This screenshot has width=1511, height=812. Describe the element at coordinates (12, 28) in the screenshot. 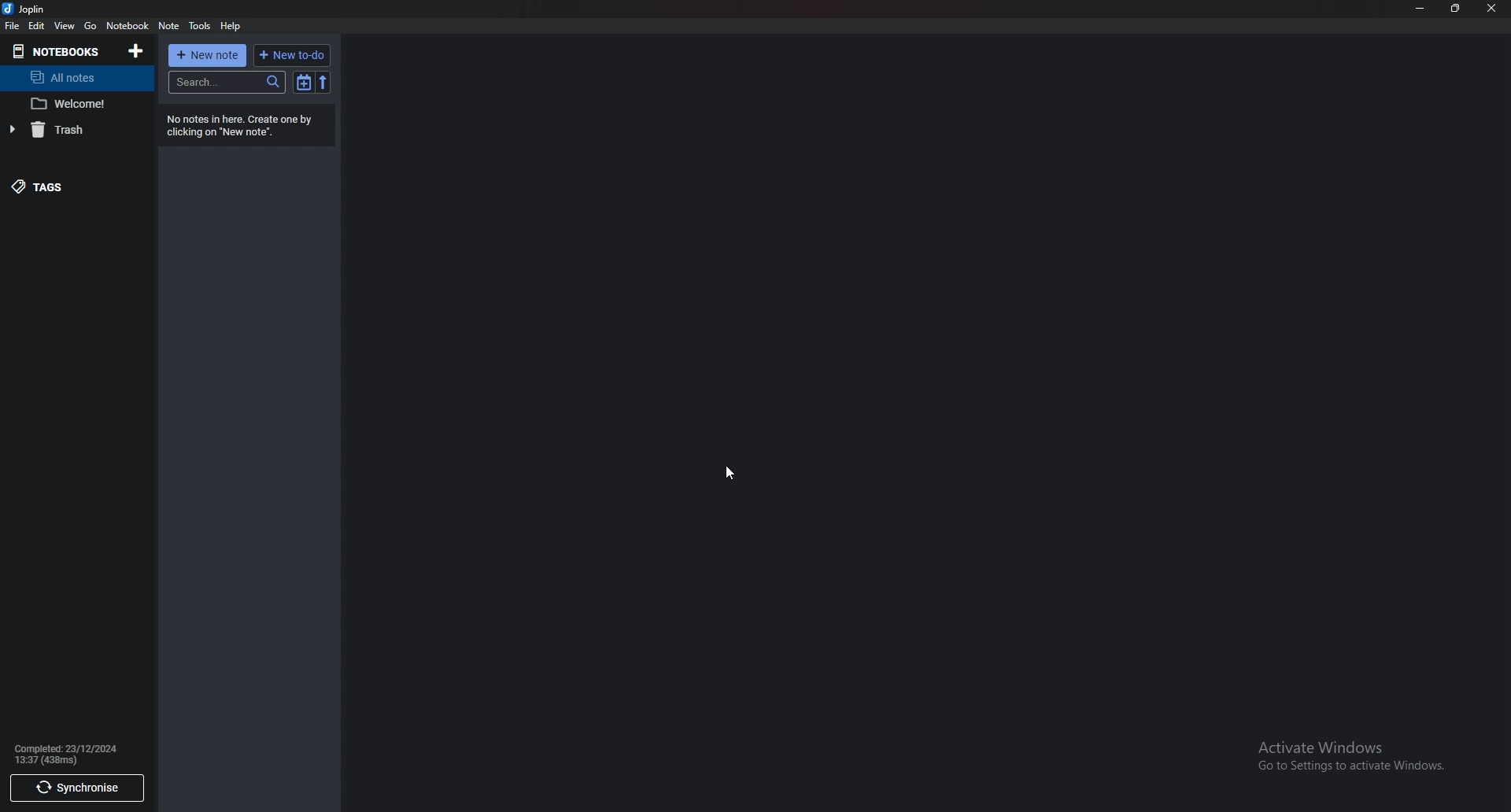

I see `file` at that location.